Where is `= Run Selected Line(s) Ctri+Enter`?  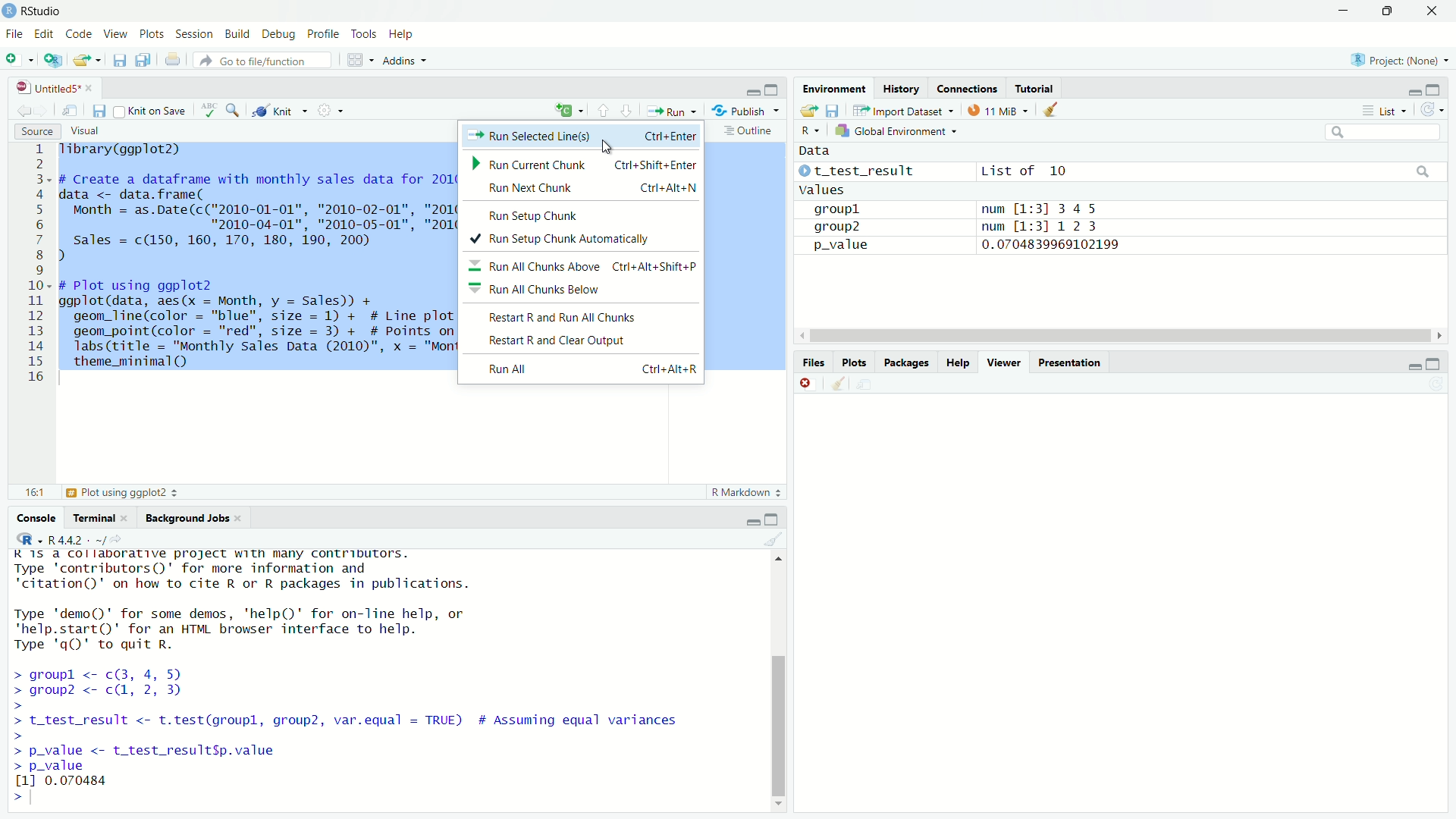 = Run Selected Line(s) Ctri+Enter is located at coordinates (586, 134).